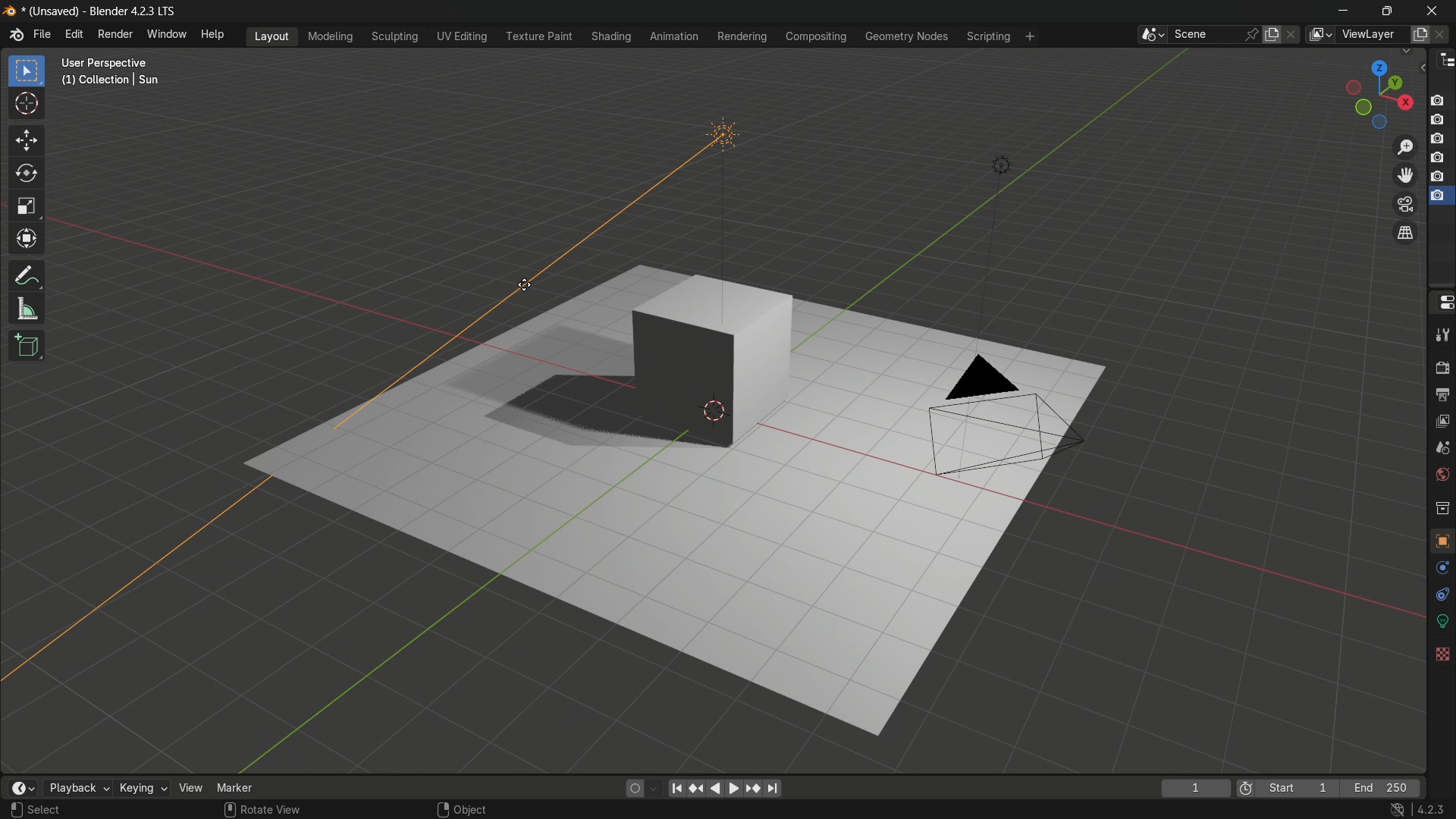  What do you see at coordinates (168, 36) in the screenshot?
I see `window` at bounding box center [168, 36].